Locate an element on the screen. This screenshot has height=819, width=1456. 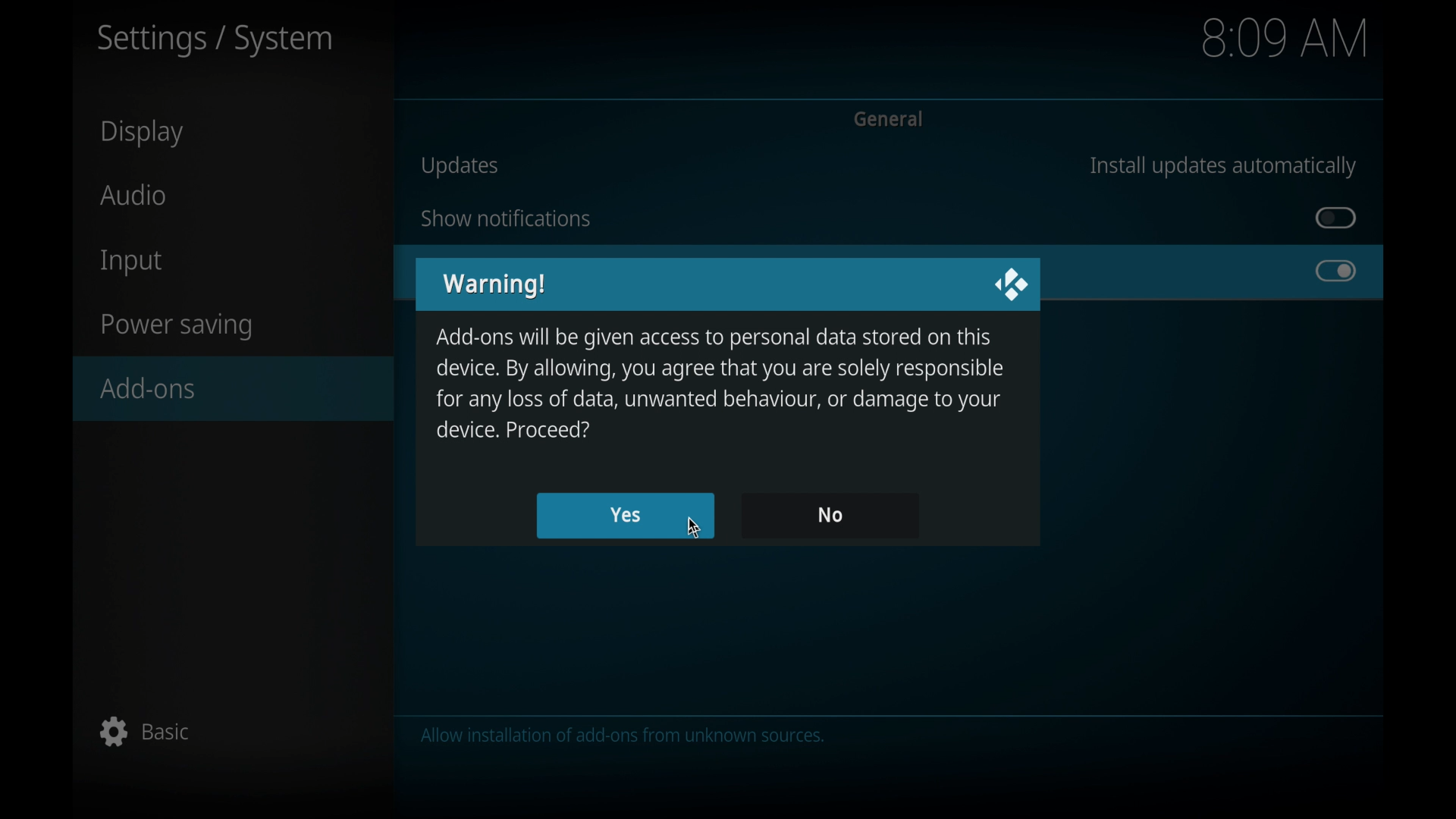
warning is located at coordinates (496, 286).